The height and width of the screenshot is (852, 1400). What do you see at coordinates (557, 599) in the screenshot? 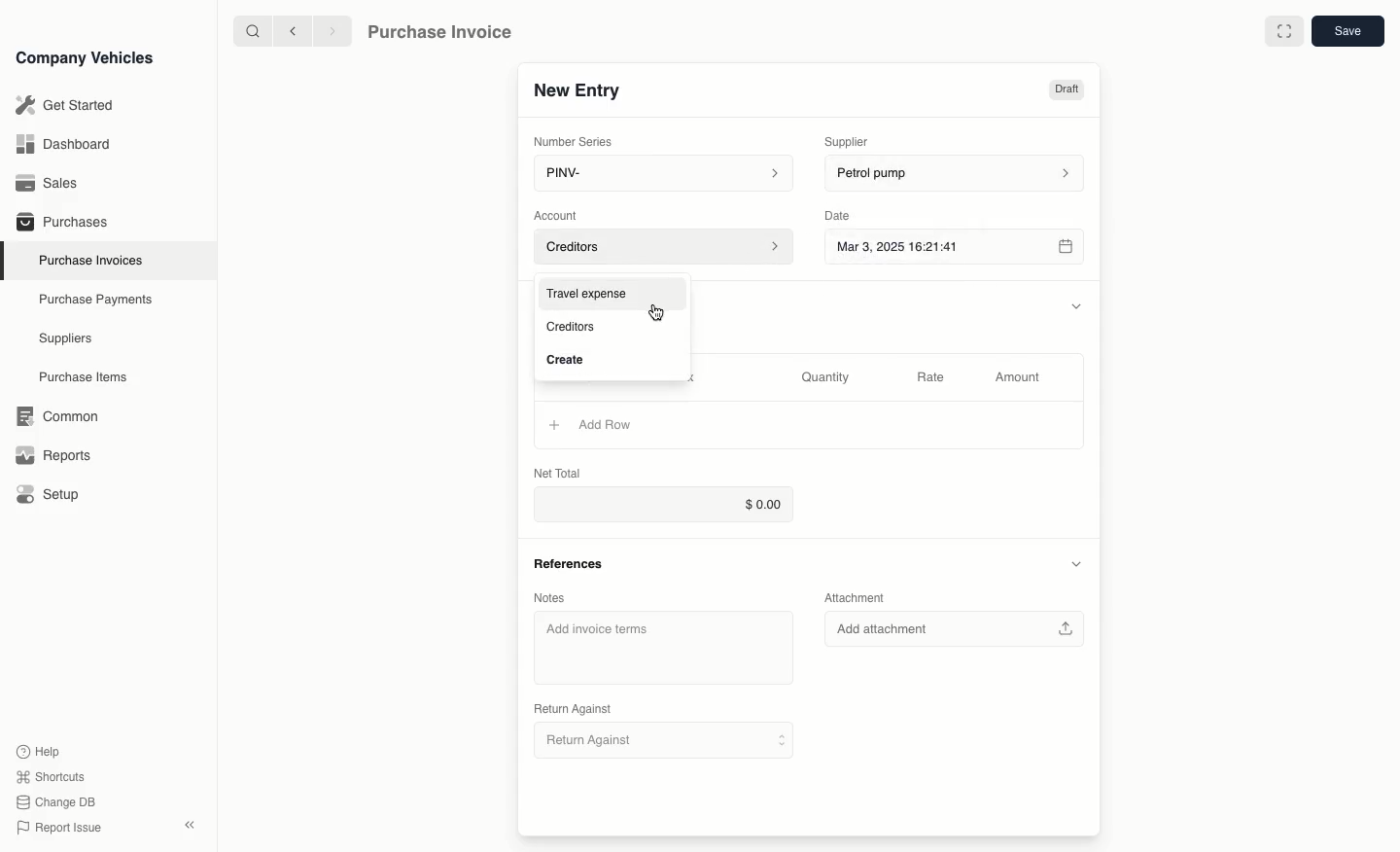
I see `Notes.` at bounding box center [557, 599].